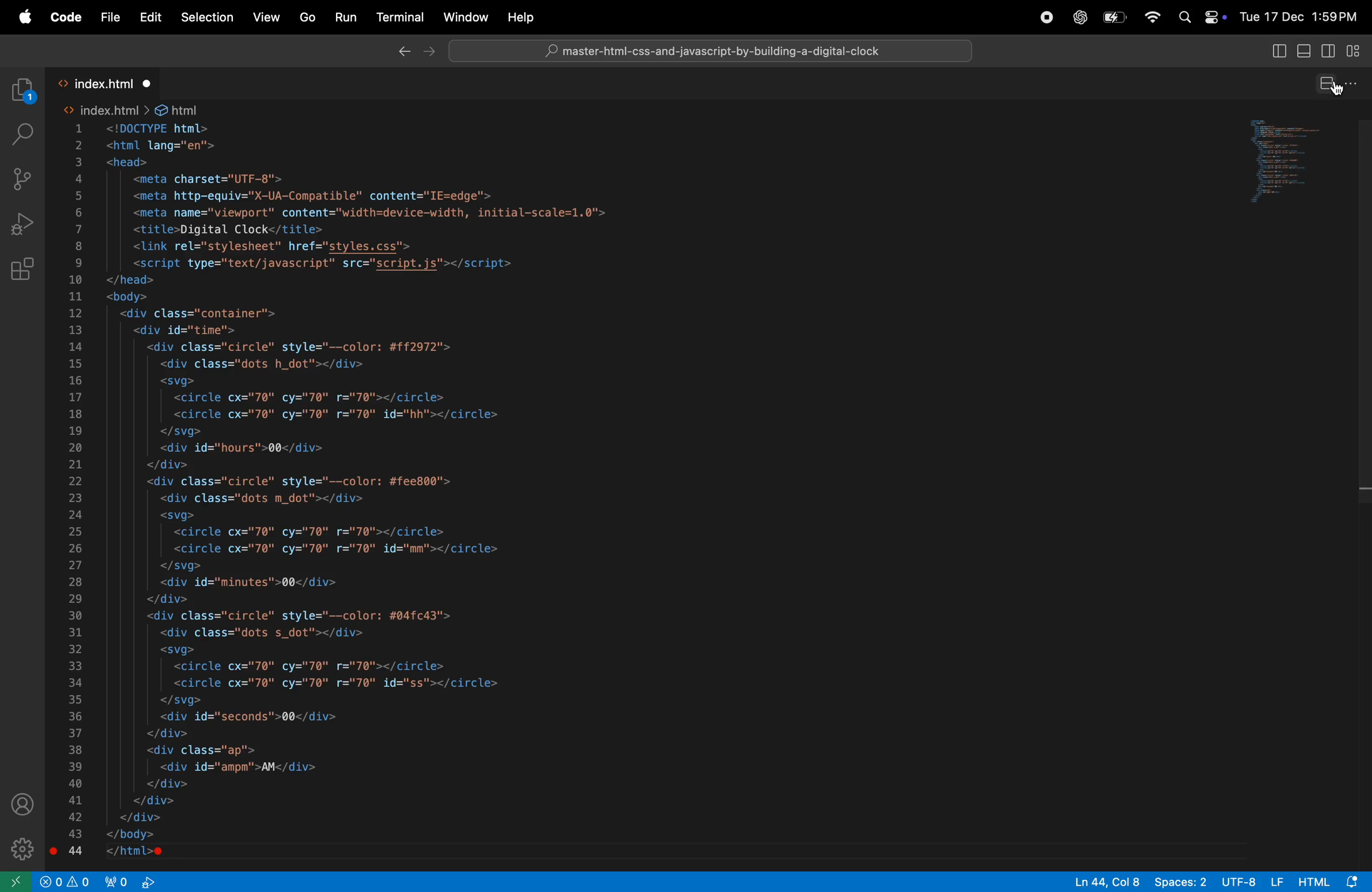 The height and width of the screenshot is (892, 1372). What do you see at coordinates (266, 17) in the screenshot?
I see `view` at bounding box center [266, 17].